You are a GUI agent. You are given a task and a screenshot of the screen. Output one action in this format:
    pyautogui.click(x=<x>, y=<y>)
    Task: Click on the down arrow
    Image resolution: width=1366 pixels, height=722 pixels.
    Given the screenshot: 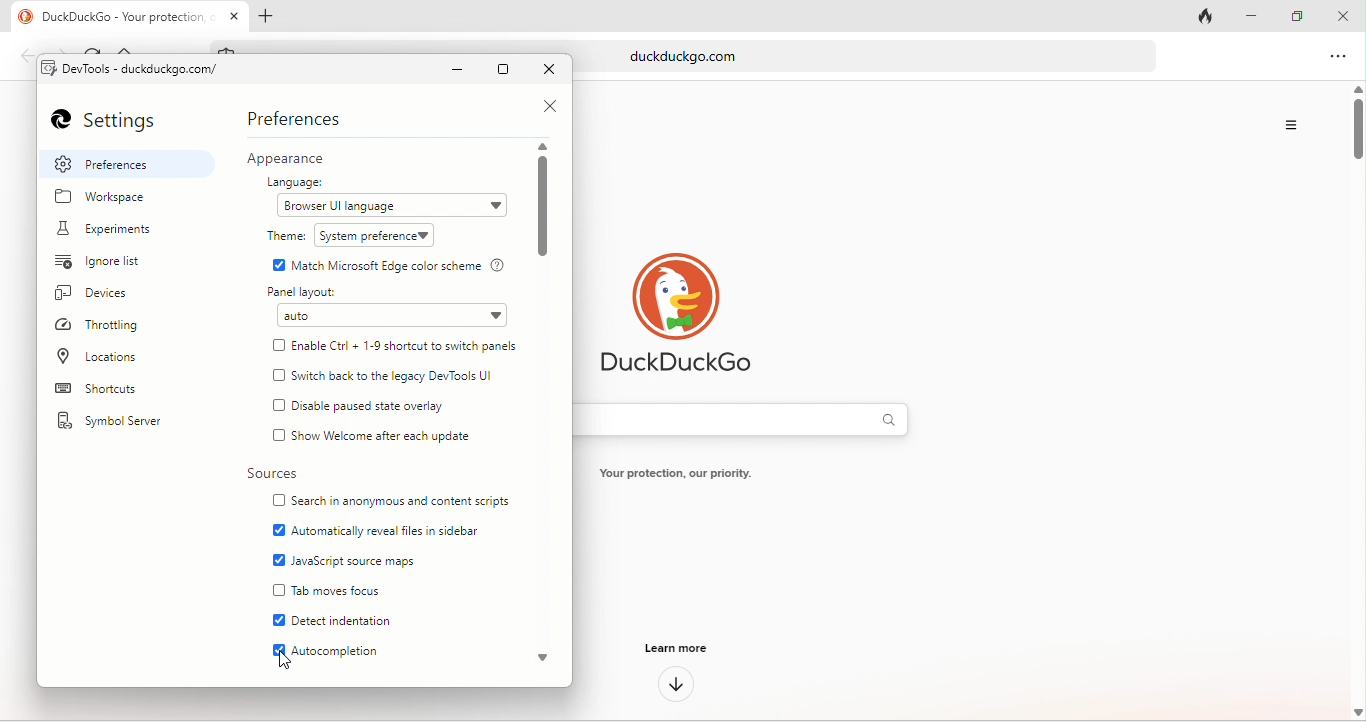 What is the action you would take?
    pyautogui.click(x=677, y=685)
    